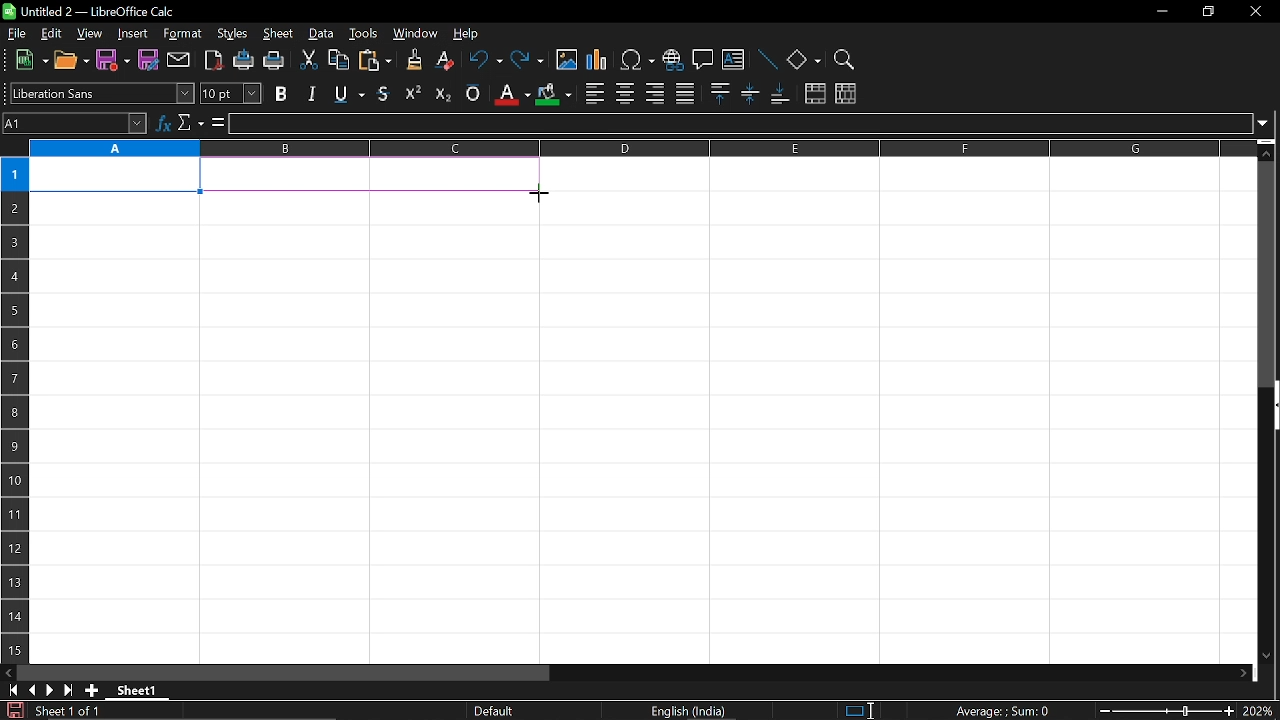 The height and width of the screenshot is (720, 1280). I want to click on basic shapes, so click(804, 59).